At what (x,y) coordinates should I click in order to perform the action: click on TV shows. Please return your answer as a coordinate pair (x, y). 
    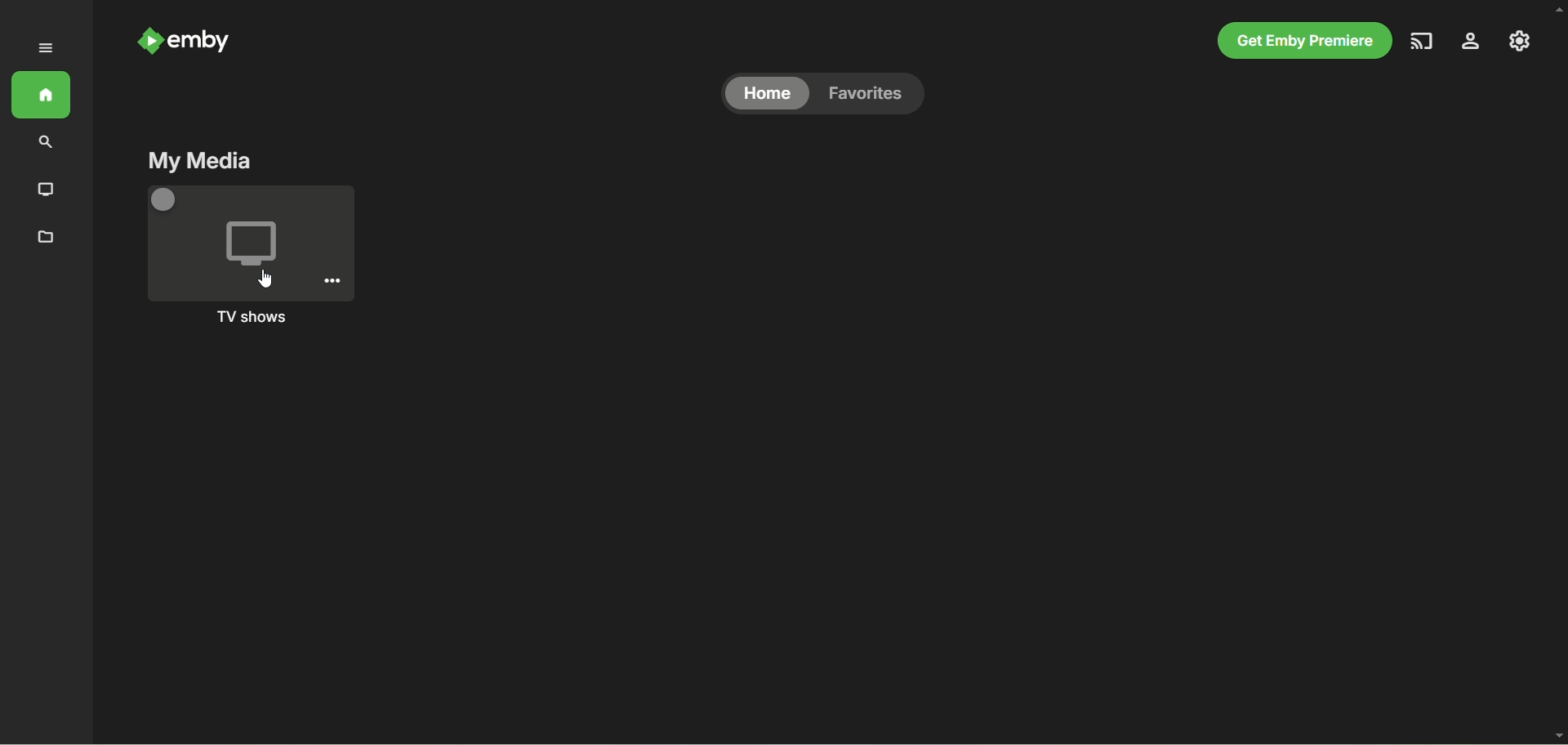
    Looking at the image, I should click on (248, 243).